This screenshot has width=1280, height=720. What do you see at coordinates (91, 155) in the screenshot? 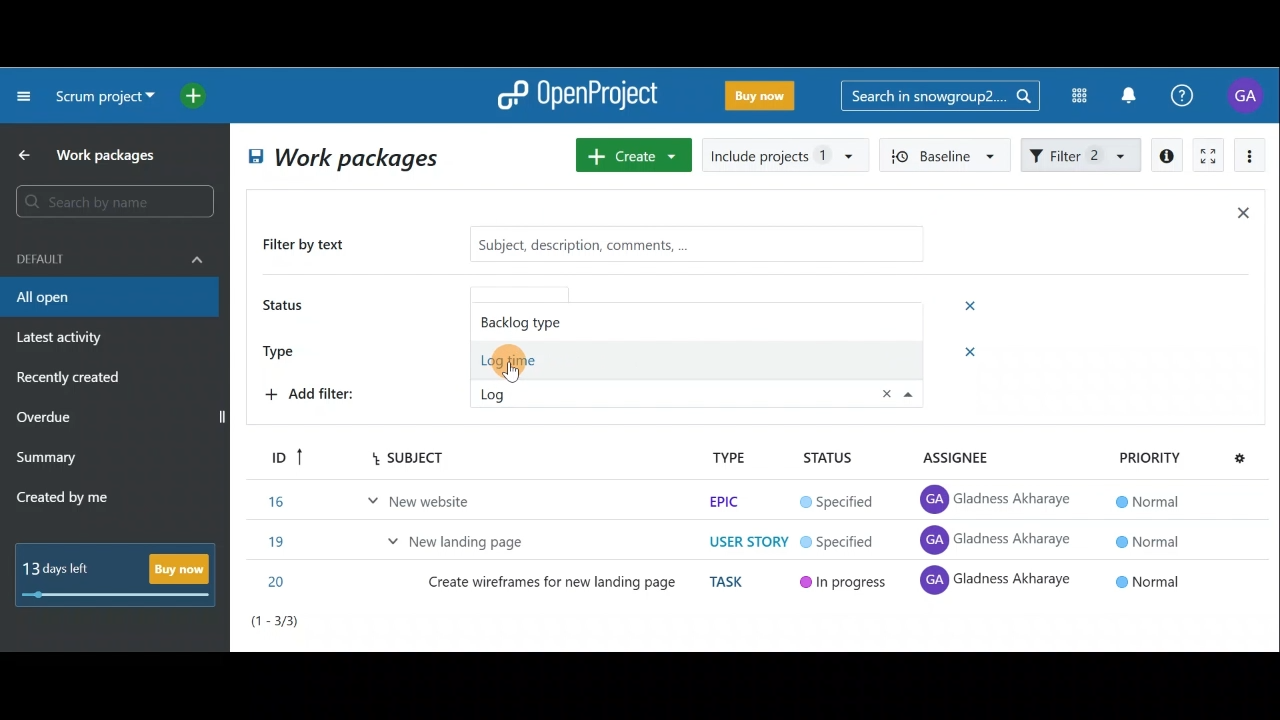
I see `Work packages` at bounding box center [91, 155].